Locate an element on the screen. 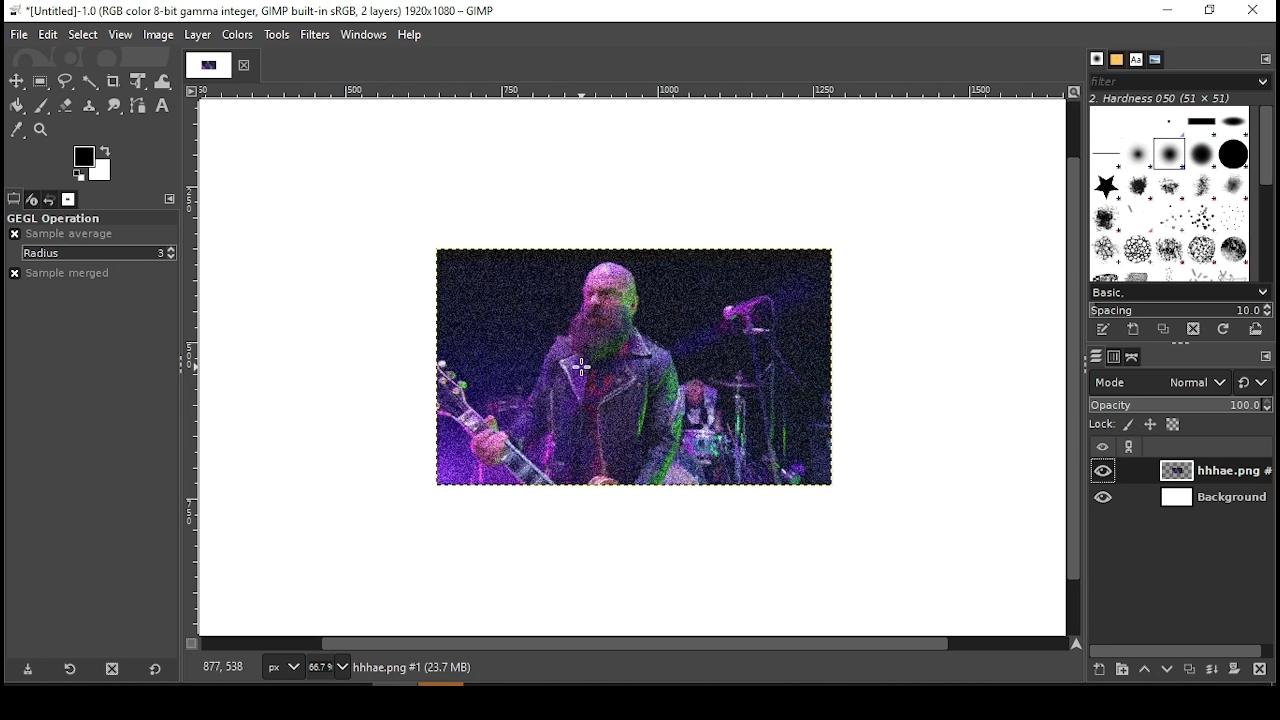  brushes filter is located at coordinates (1178, 81).